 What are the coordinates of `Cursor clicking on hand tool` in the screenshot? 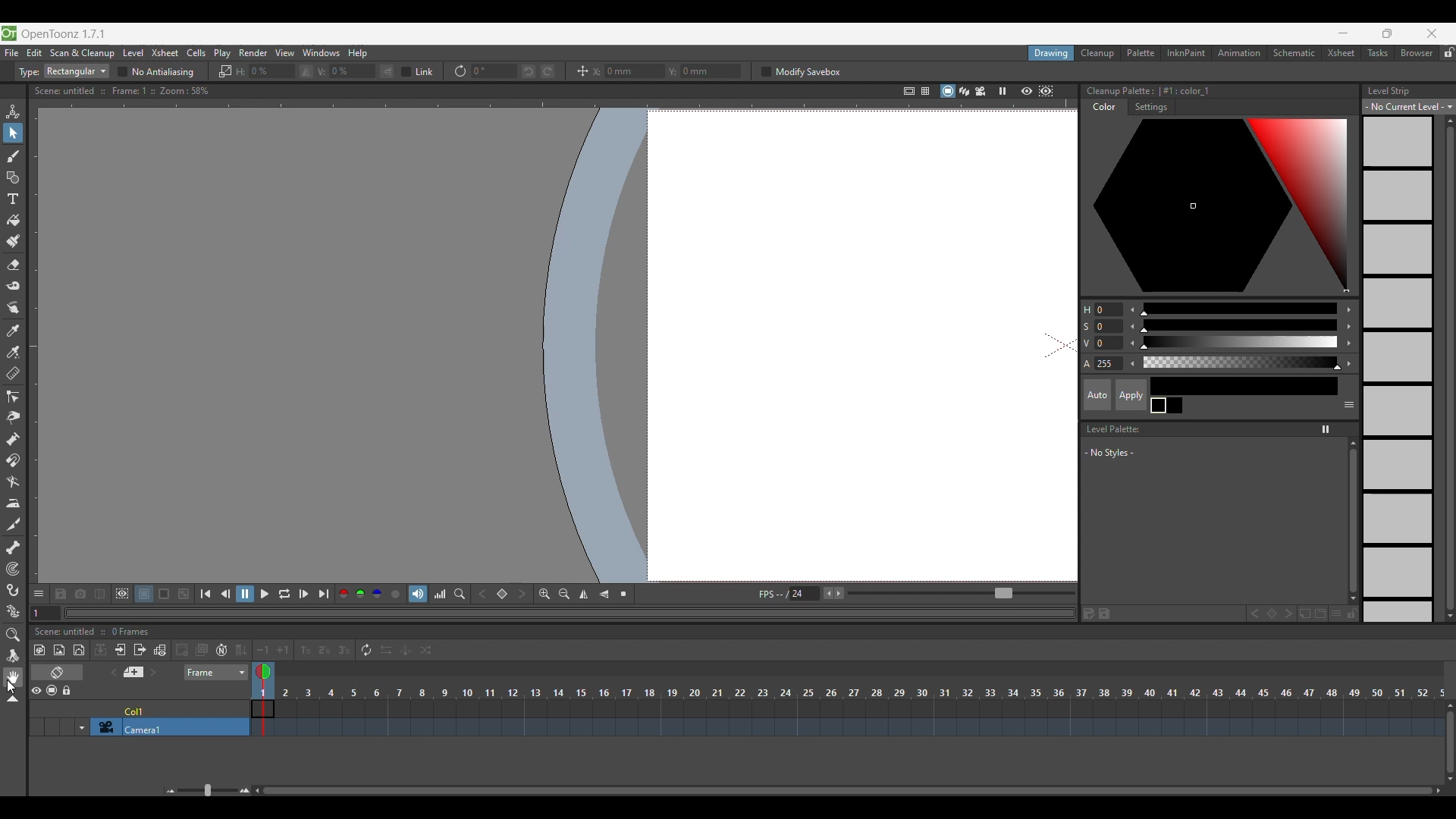 It's located at (11, 686).